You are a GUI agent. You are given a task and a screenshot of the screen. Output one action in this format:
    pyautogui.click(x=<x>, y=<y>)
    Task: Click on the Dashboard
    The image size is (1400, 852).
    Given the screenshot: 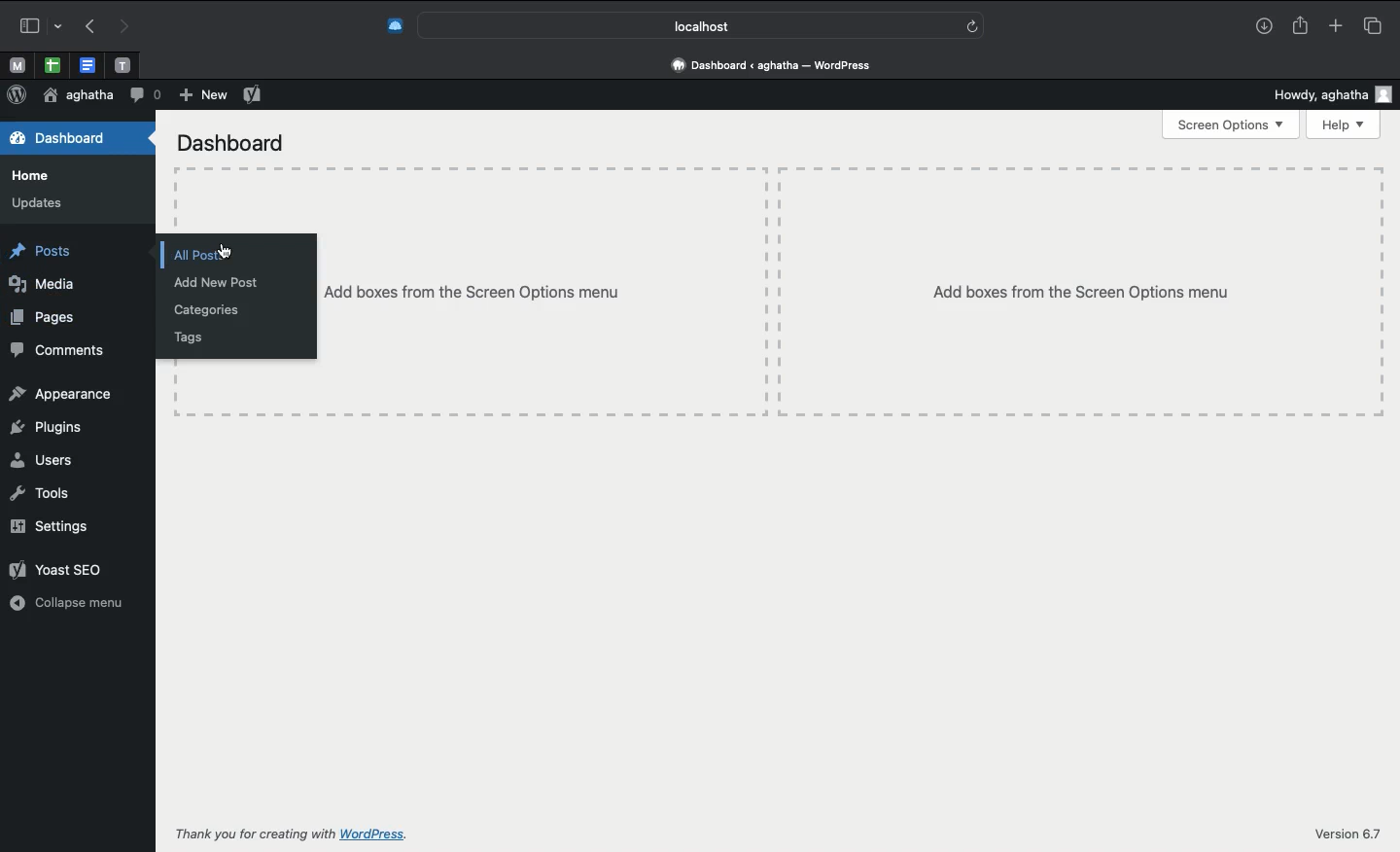 What is the action you would take?
    pyautogui.click(x=226, y=142)
    